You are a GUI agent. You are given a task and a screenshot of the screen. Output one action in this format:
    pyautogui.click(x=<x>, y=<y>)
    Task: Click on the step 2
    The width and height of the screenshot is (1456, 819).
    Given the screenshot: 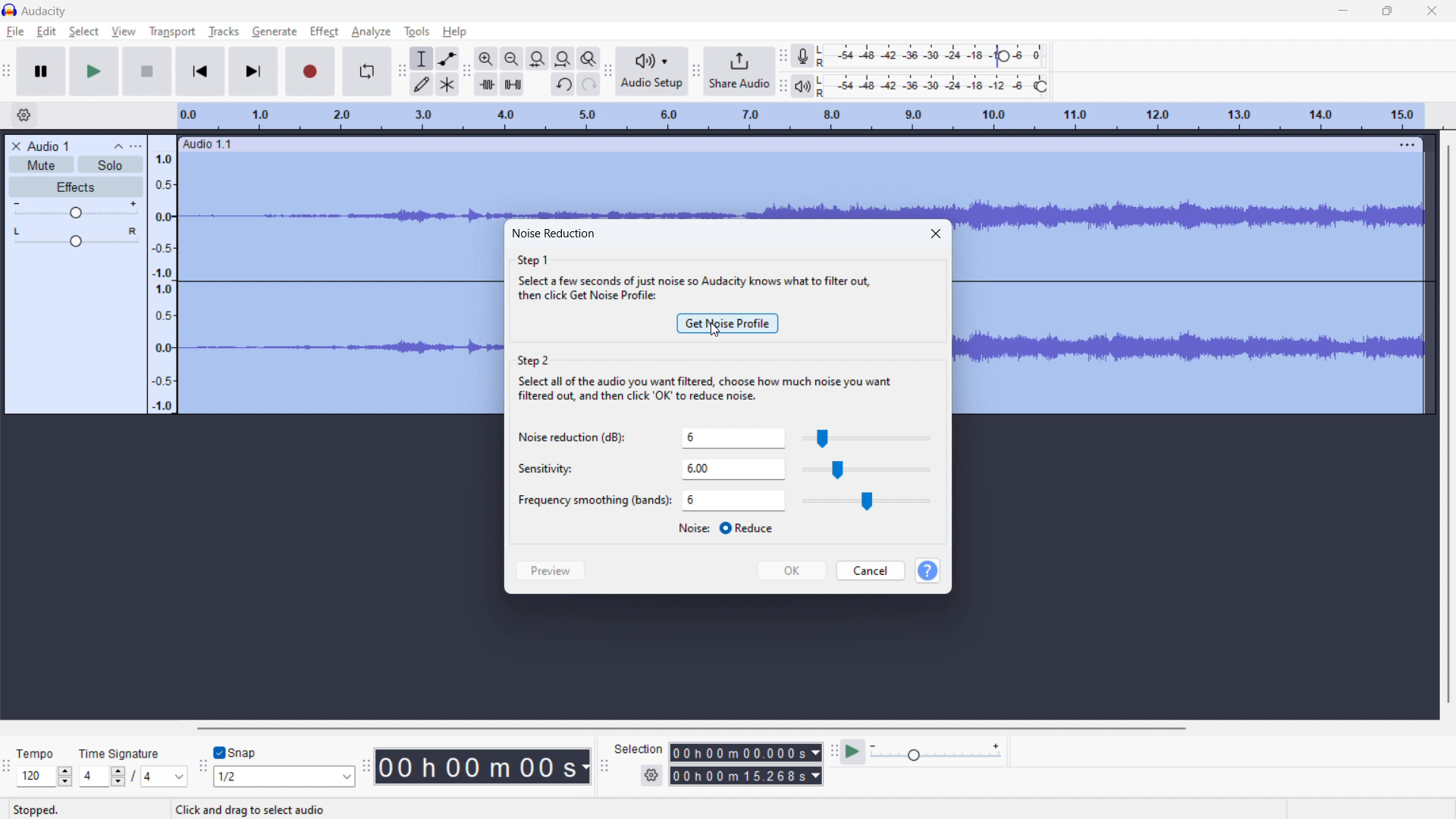 What is the action you would take?
    pyautogui.click(x=707, y=381)
    